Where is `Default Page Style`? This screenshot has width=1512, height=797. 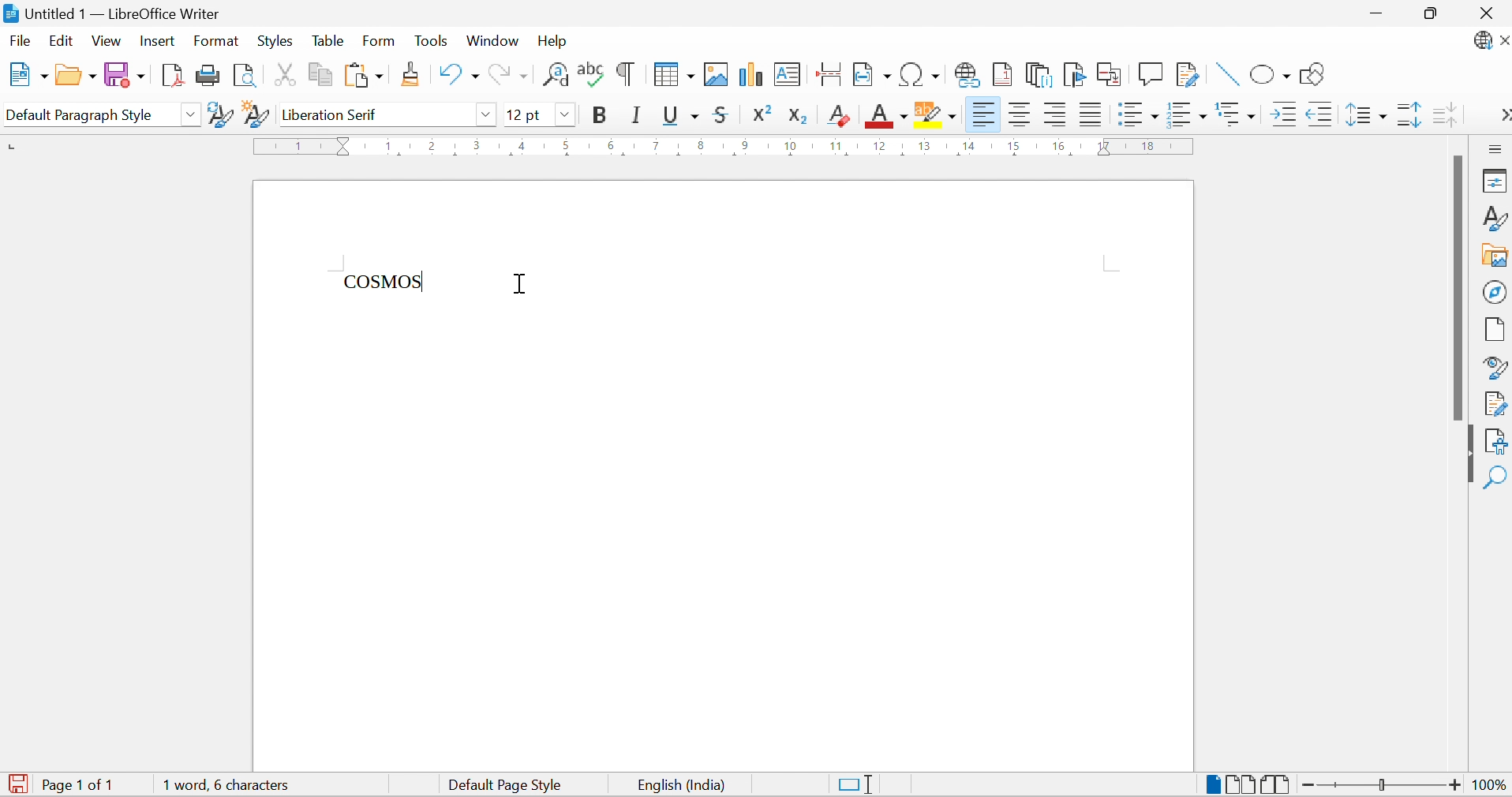 Default Page Style is located at coordinates (507, 785).